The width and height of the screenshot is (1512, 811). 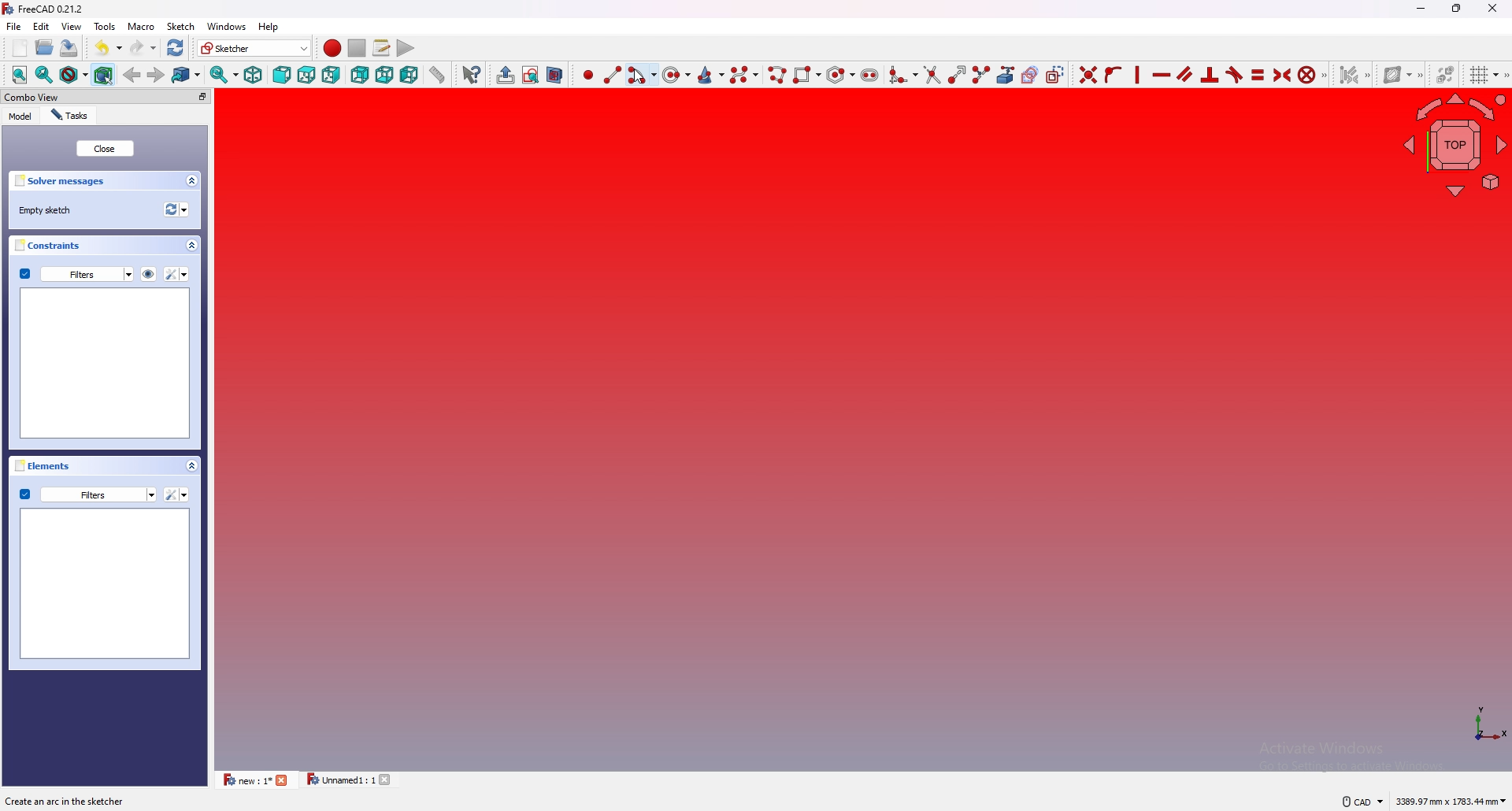 I want to click on stop macro, so click(x=358, y=48).